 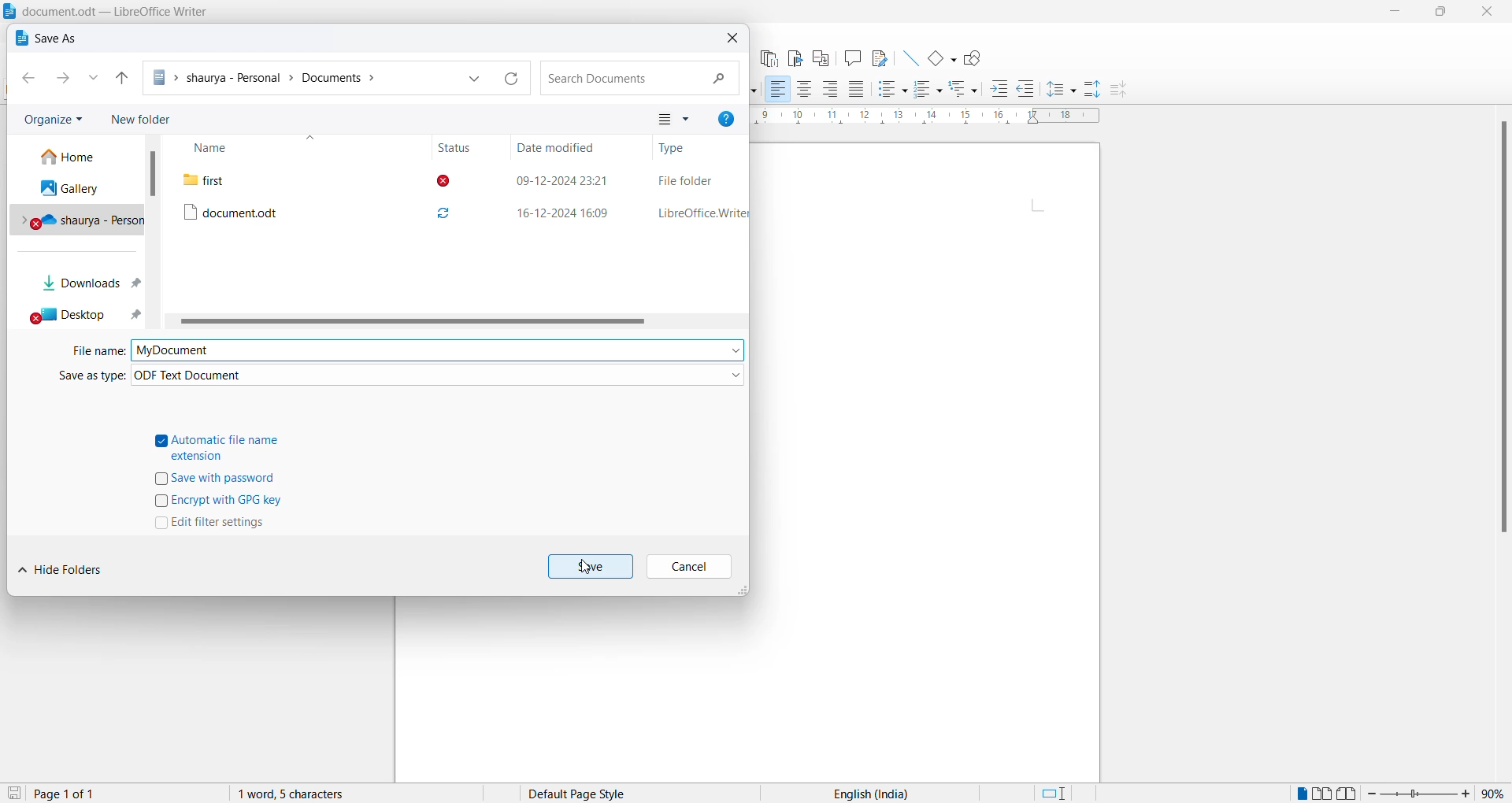 What do you see at coordinates (942, 60) in the screenshot?
I see `Insert rectangle` at bounding box center [942, 60].